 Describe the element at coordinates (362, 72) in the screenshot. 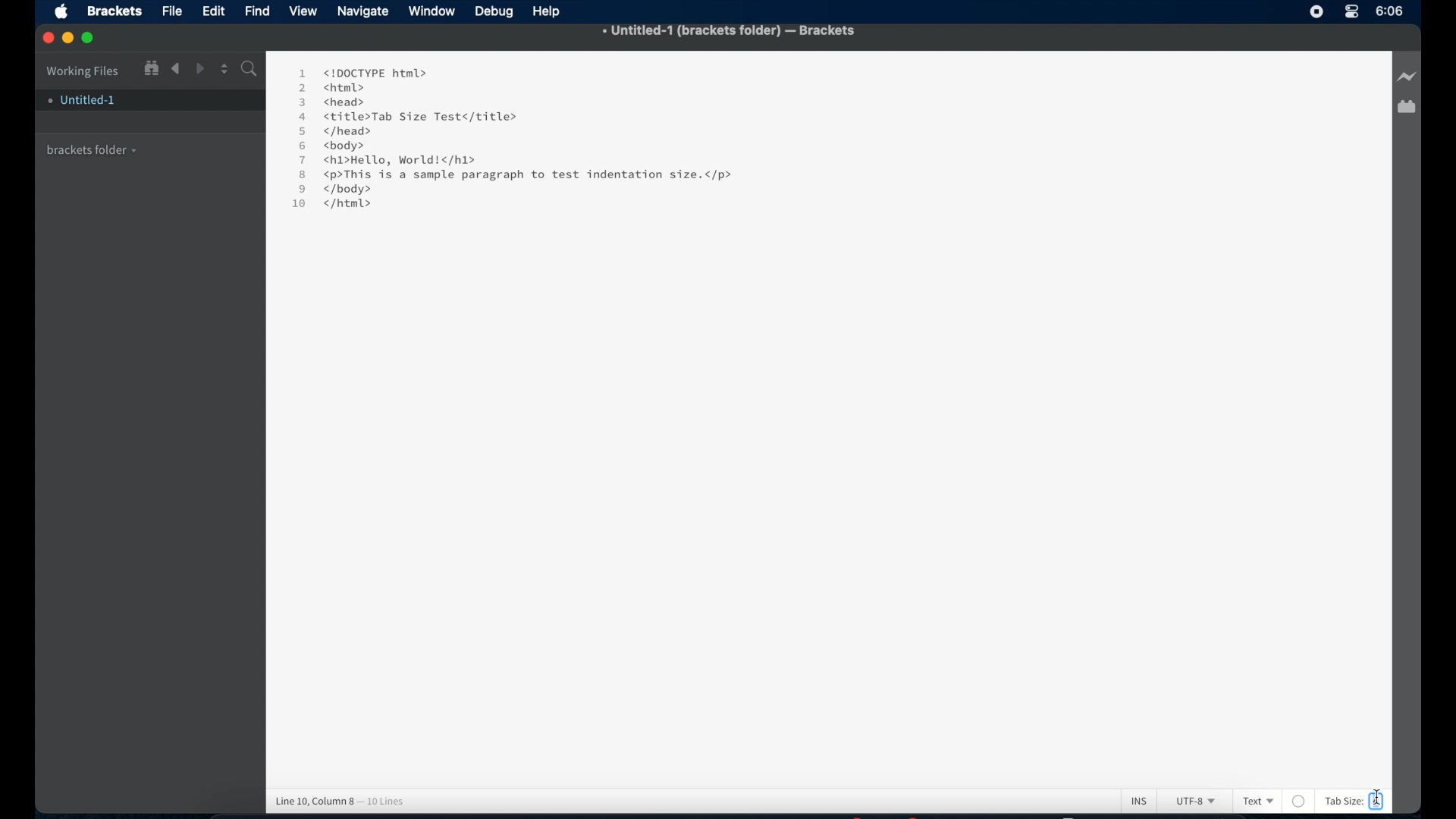

I see `1  <!DOCTYPE html>` at that location.